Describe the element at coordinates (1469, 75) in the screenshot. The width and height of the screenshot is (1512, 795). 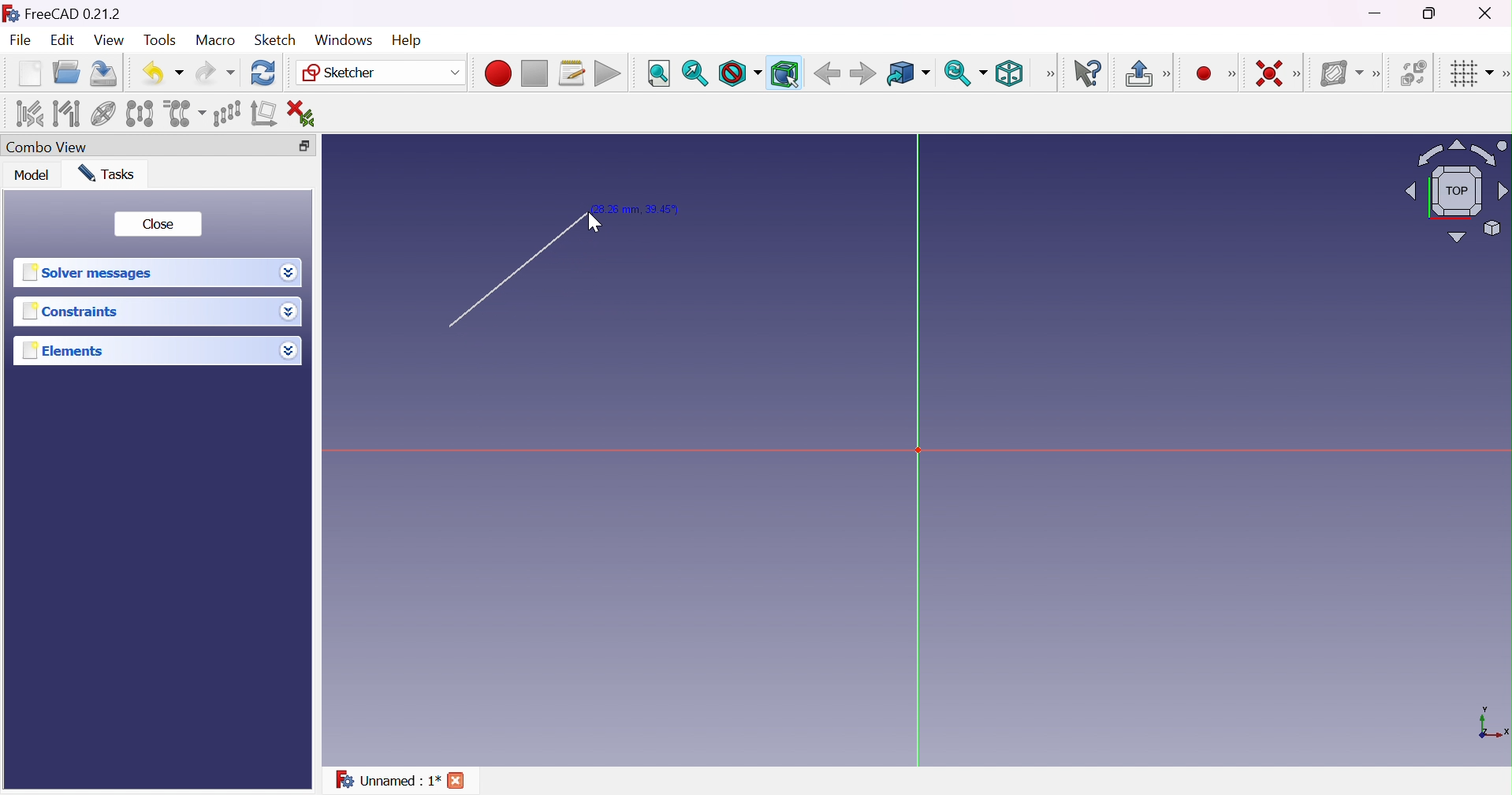
I see `Toggle grid` at that location.